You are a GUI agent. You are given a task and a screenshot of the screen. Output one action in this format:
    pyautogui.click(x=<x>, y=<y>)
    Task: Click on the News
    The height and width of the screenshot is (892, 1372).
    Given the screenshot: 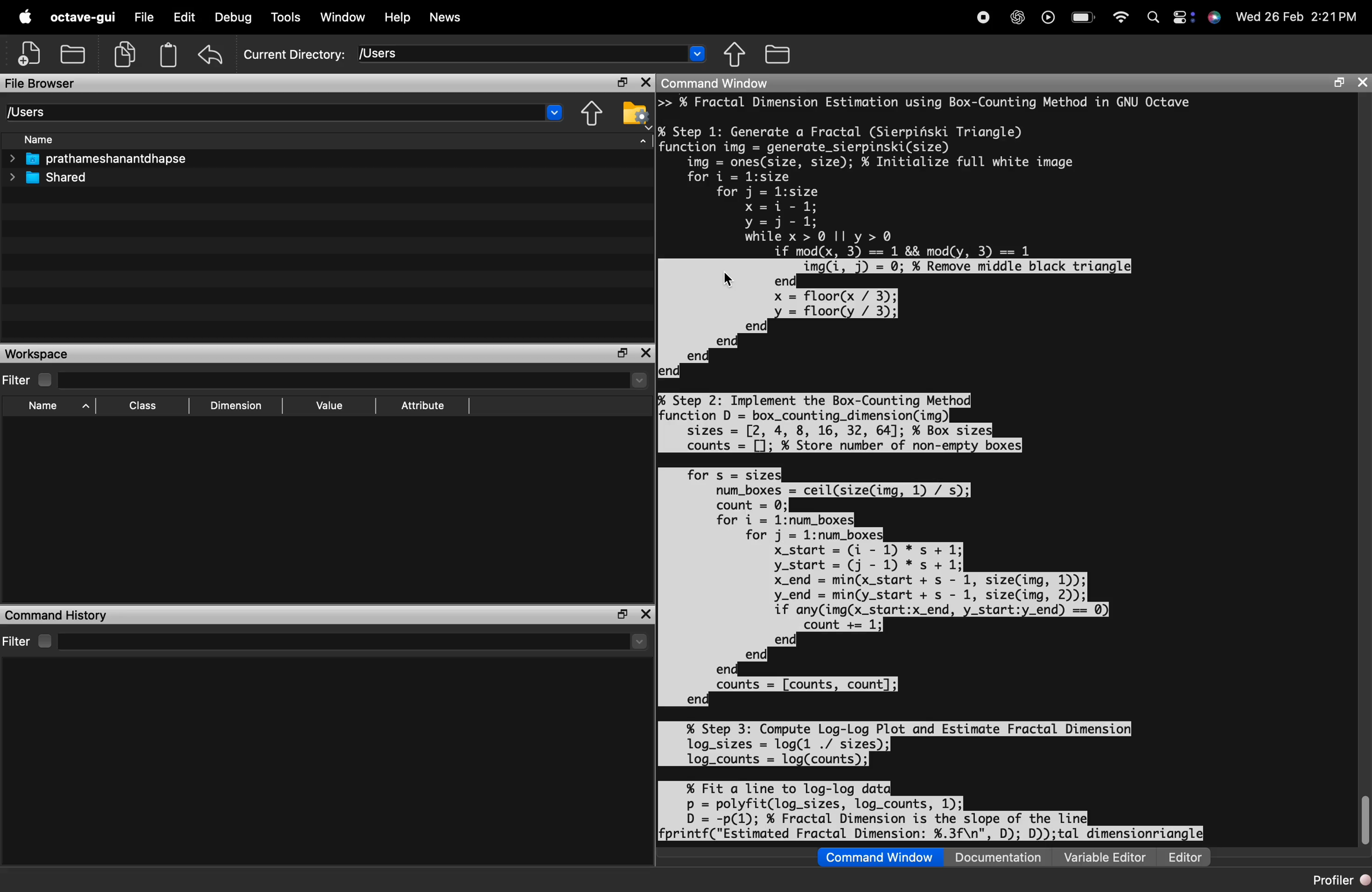 What is the action you would take?
    pyautogui.click(x=445, y=17)
    